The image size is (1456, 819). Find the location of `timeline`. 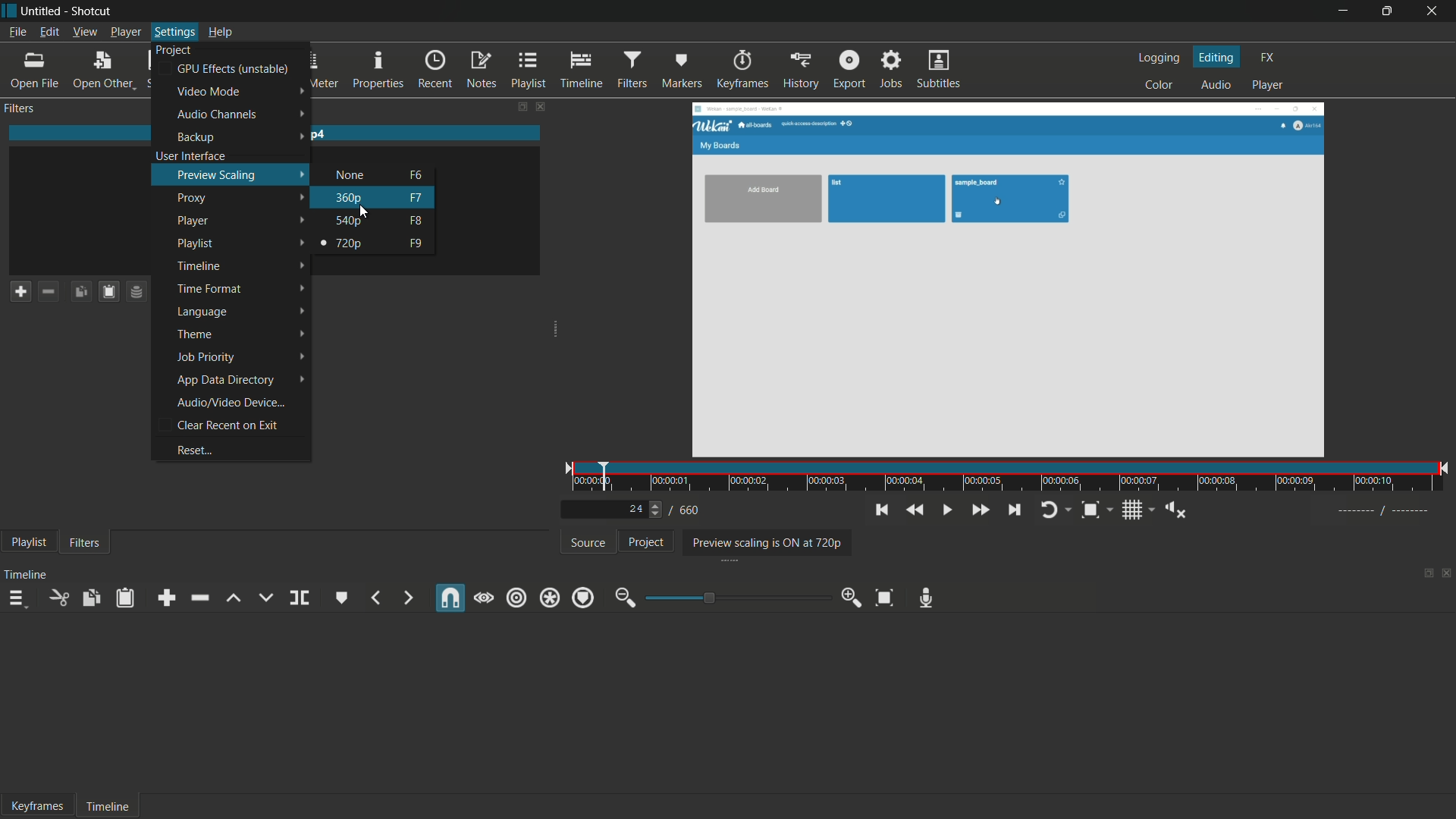

timeline is located at coordinates (27, 575).